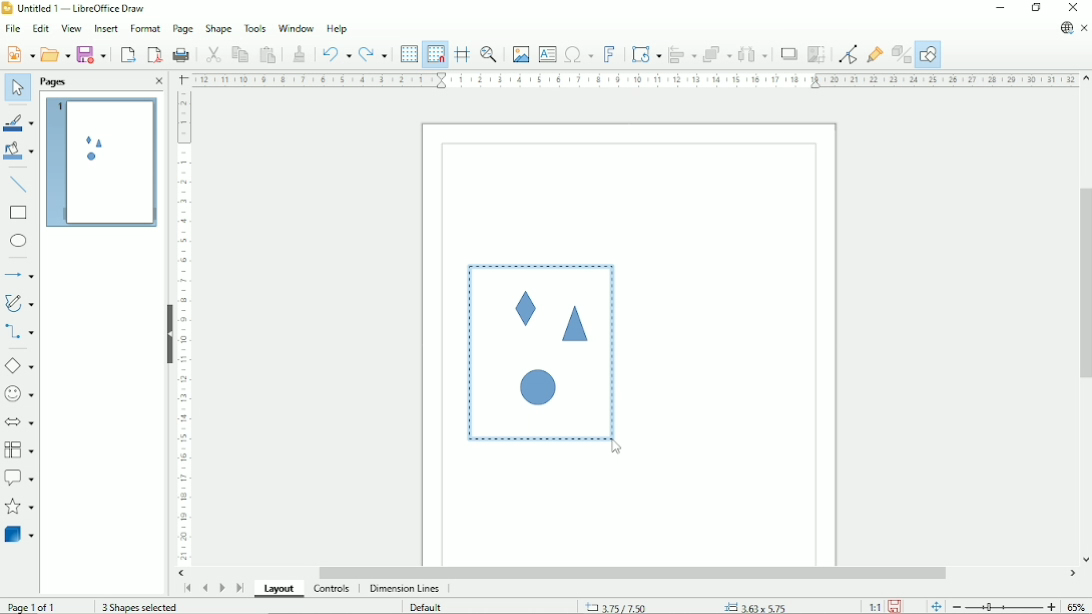 The image size is (1092, 614). I want to click on Tools, so click(255, 28).